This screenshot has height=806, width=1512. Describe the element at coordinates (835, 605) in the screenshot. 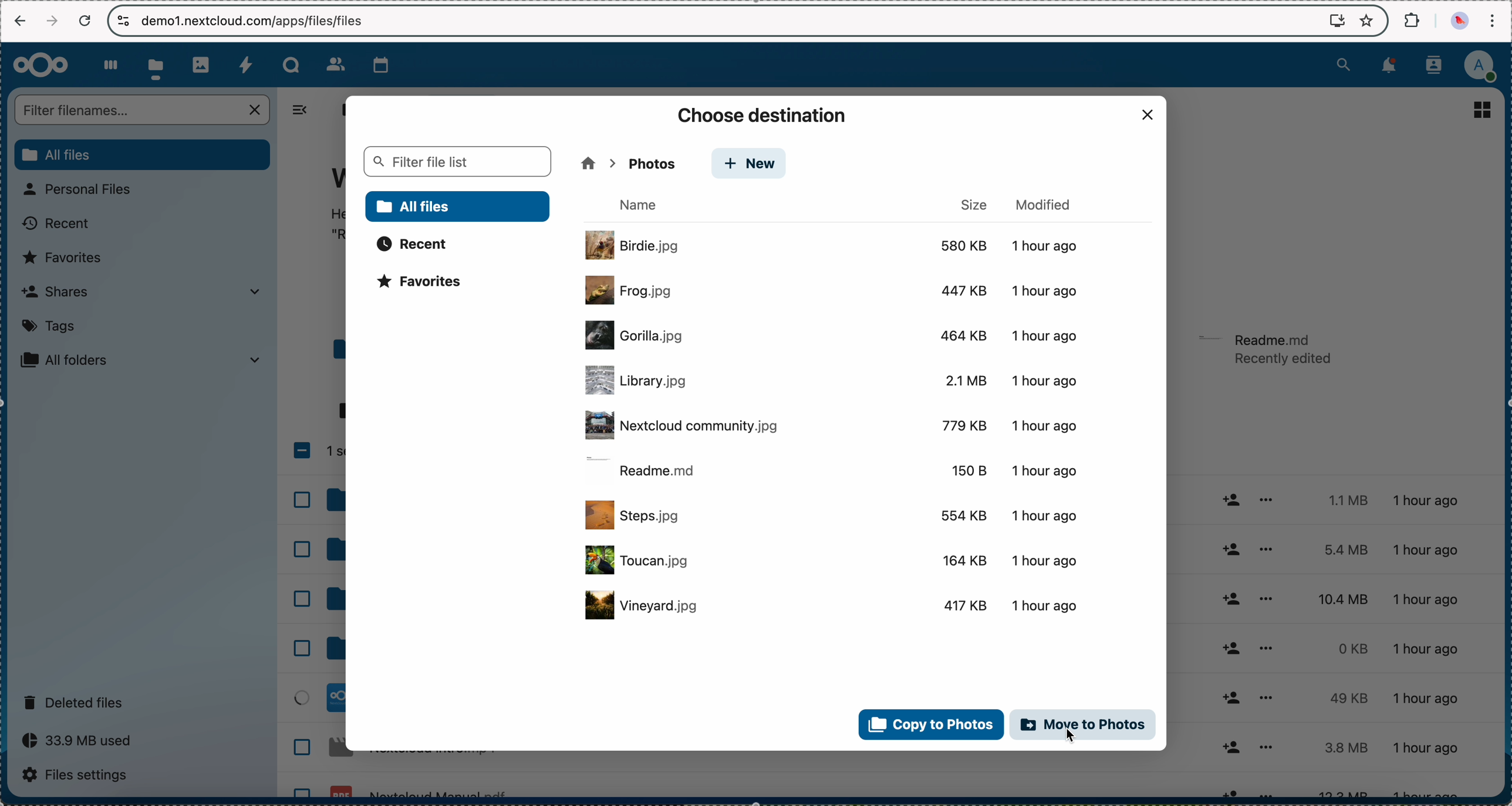

I see `file` at that location.